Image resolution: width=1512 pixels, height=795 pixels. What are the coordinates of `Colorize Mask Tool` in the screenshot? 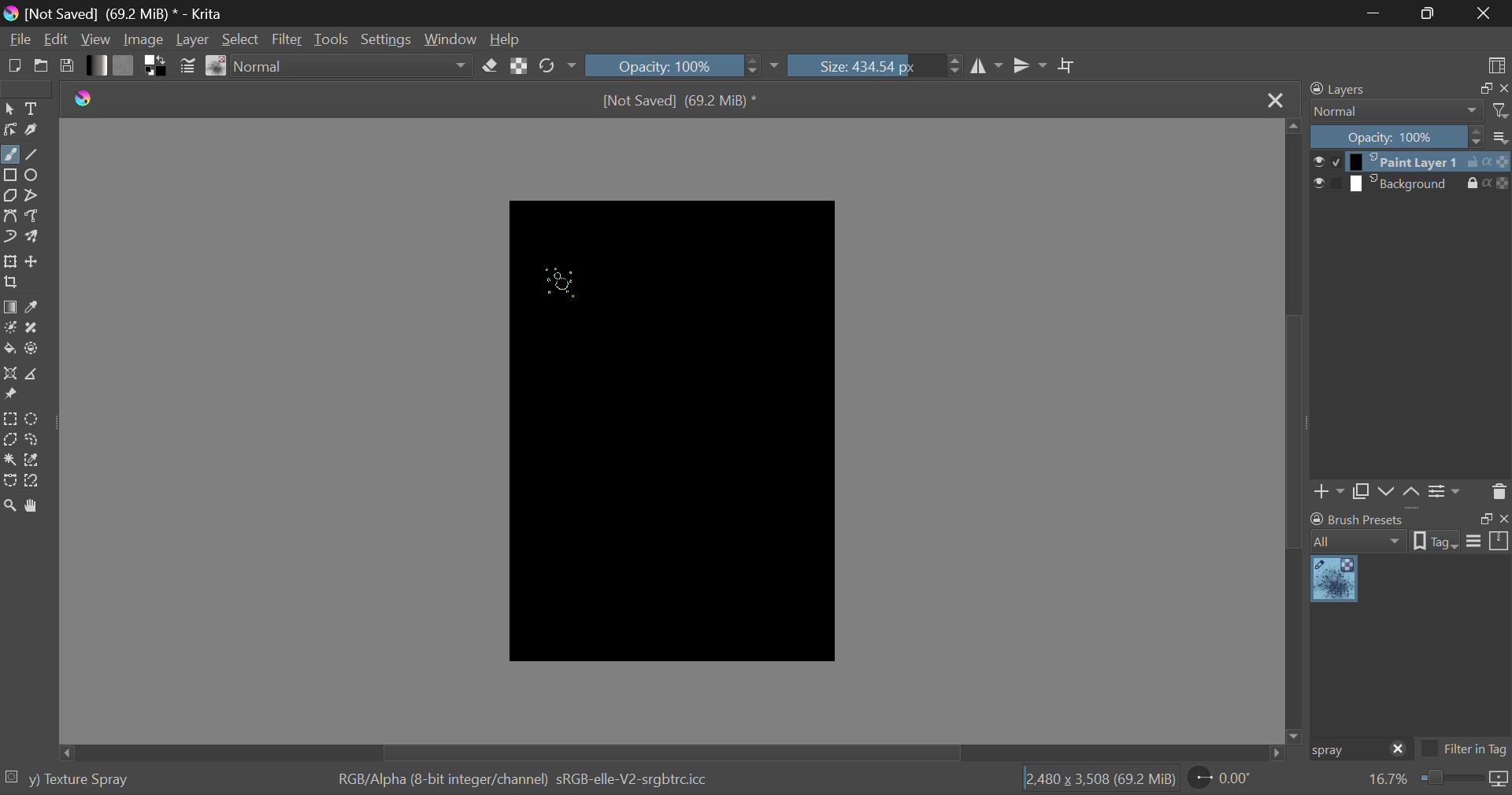 It's located at (10, 329).